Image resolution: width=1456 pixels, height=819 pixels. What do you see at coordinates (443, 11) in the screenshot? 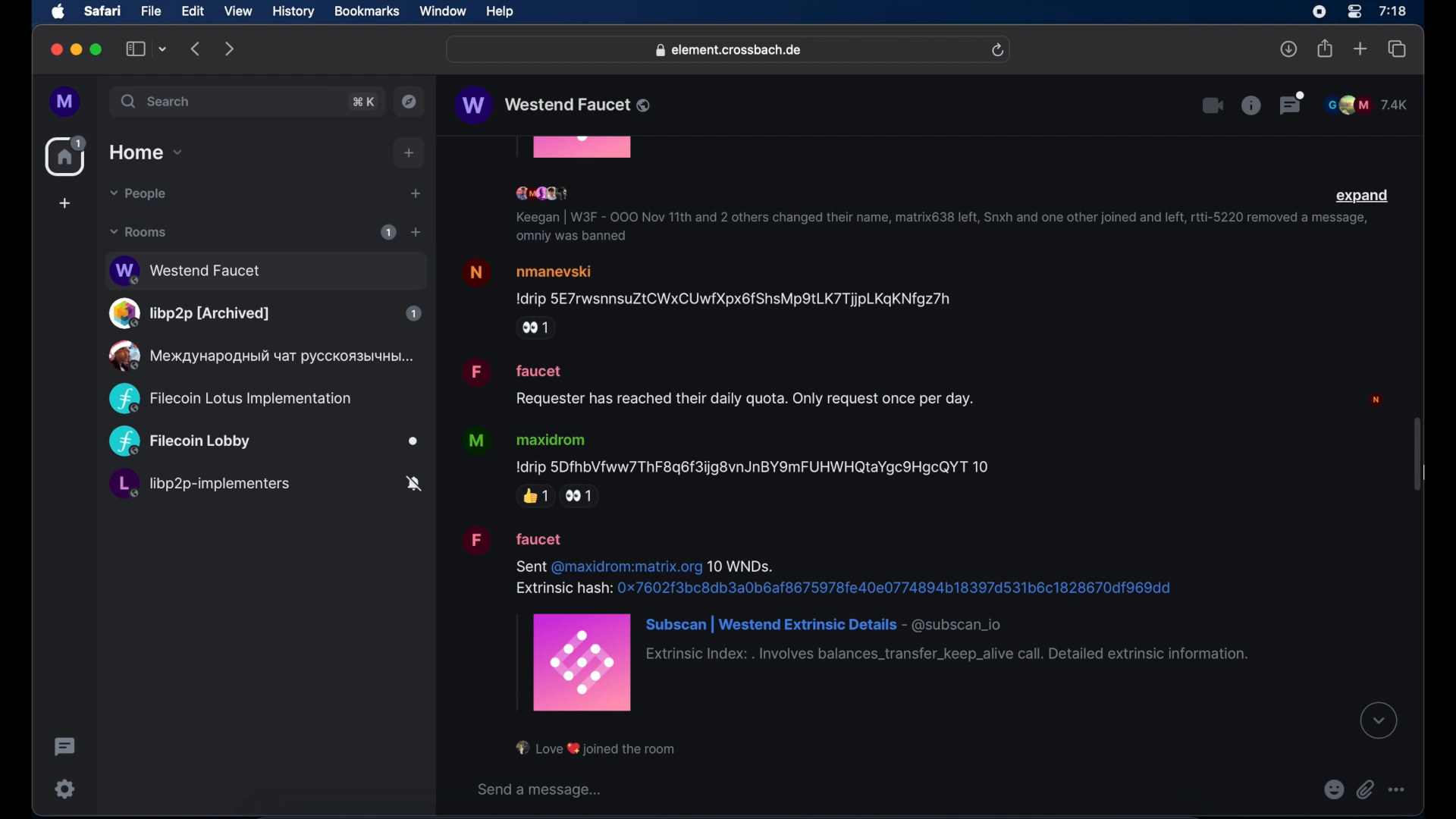
I see `window` at bounding box center [443, 11].